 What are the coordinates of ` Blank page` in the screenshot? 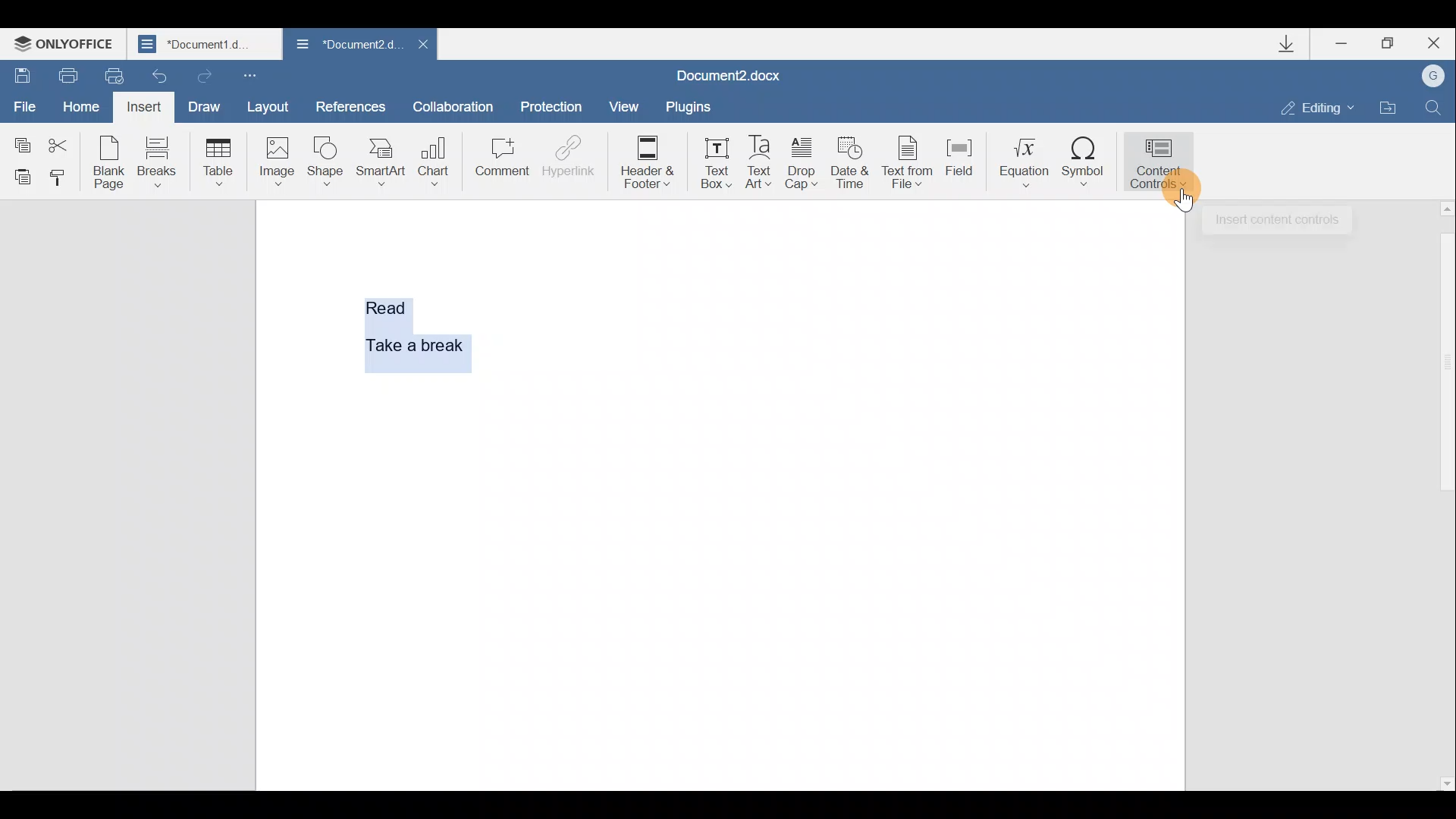 It's located at (109, 162).